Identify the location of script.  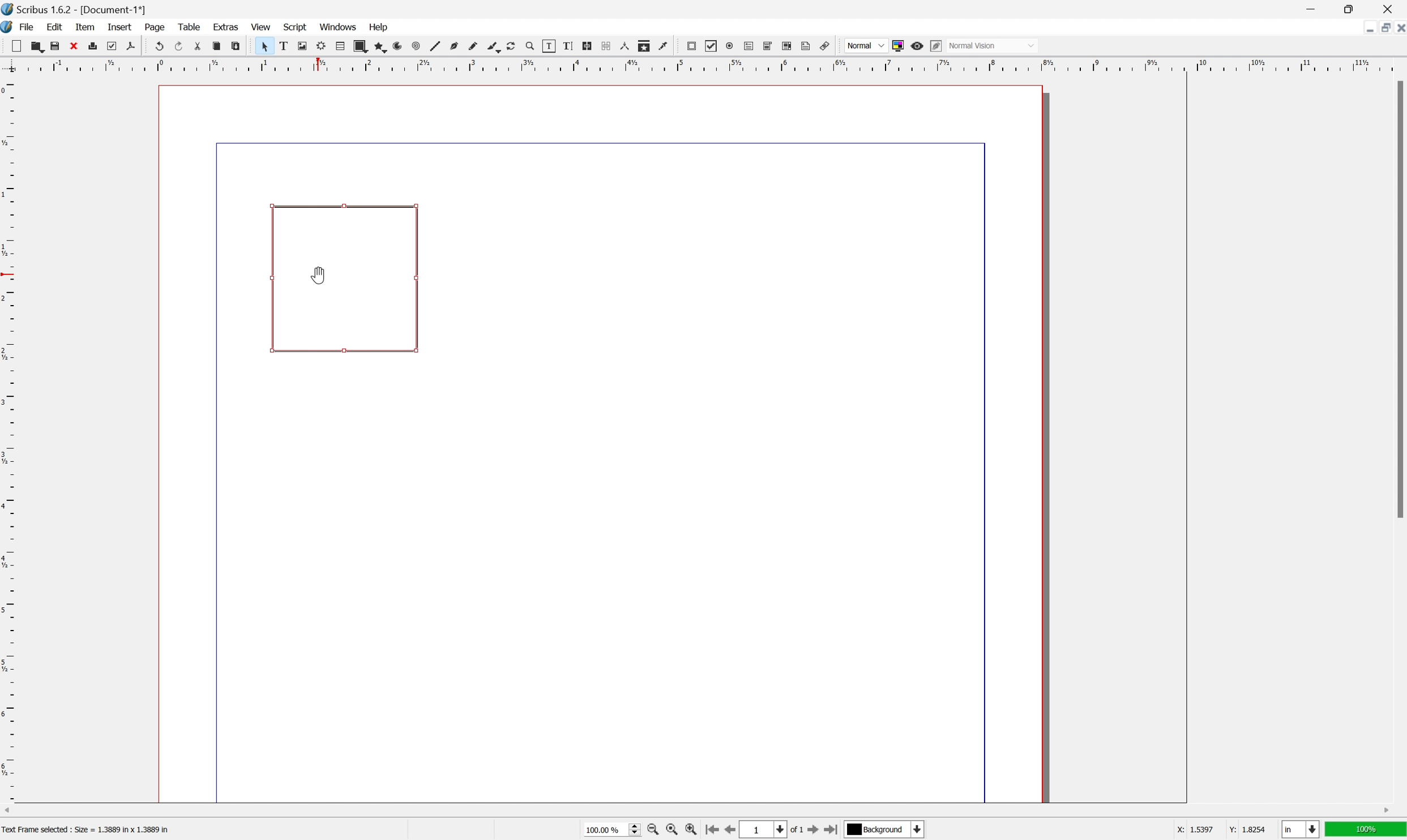
(296, 26).